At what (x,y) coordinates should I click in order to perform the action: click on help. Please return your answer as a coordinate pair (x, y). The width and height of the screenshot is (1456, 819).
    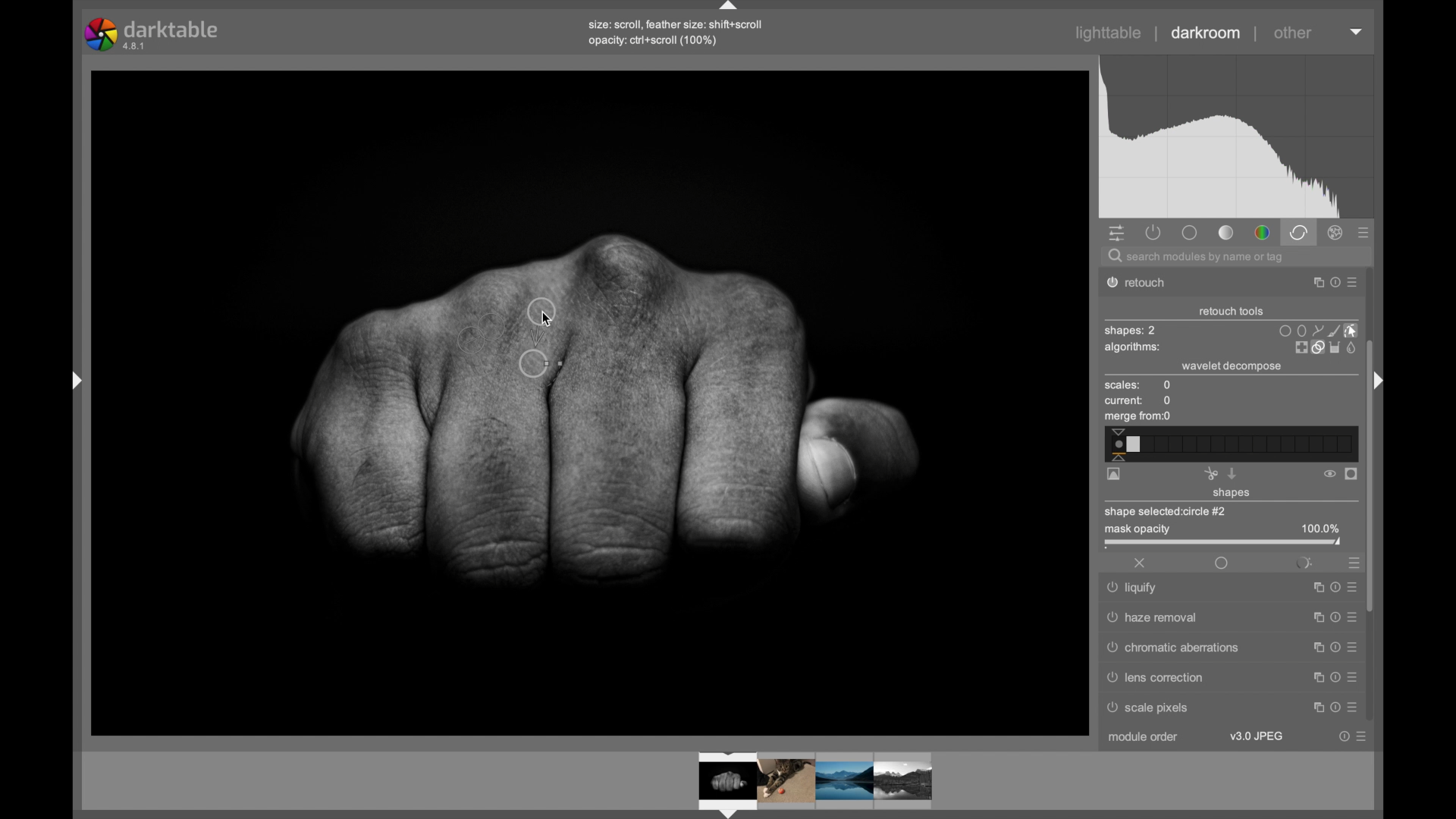
    Looking at the image, I should click on (1344, 736).